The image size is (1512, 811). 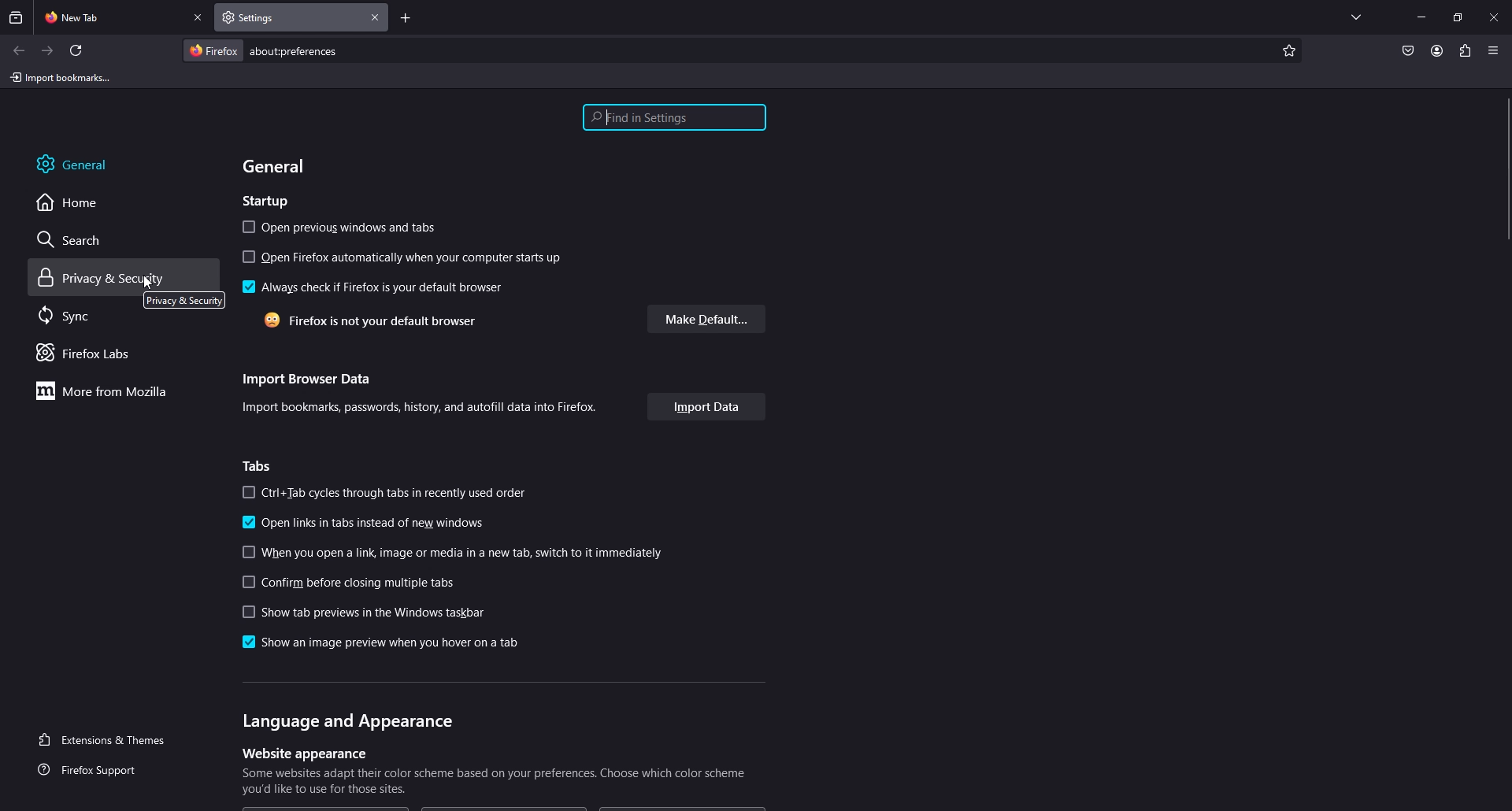 I want to click on image or media switch to new tab immediately, so click(x=459, y=553).